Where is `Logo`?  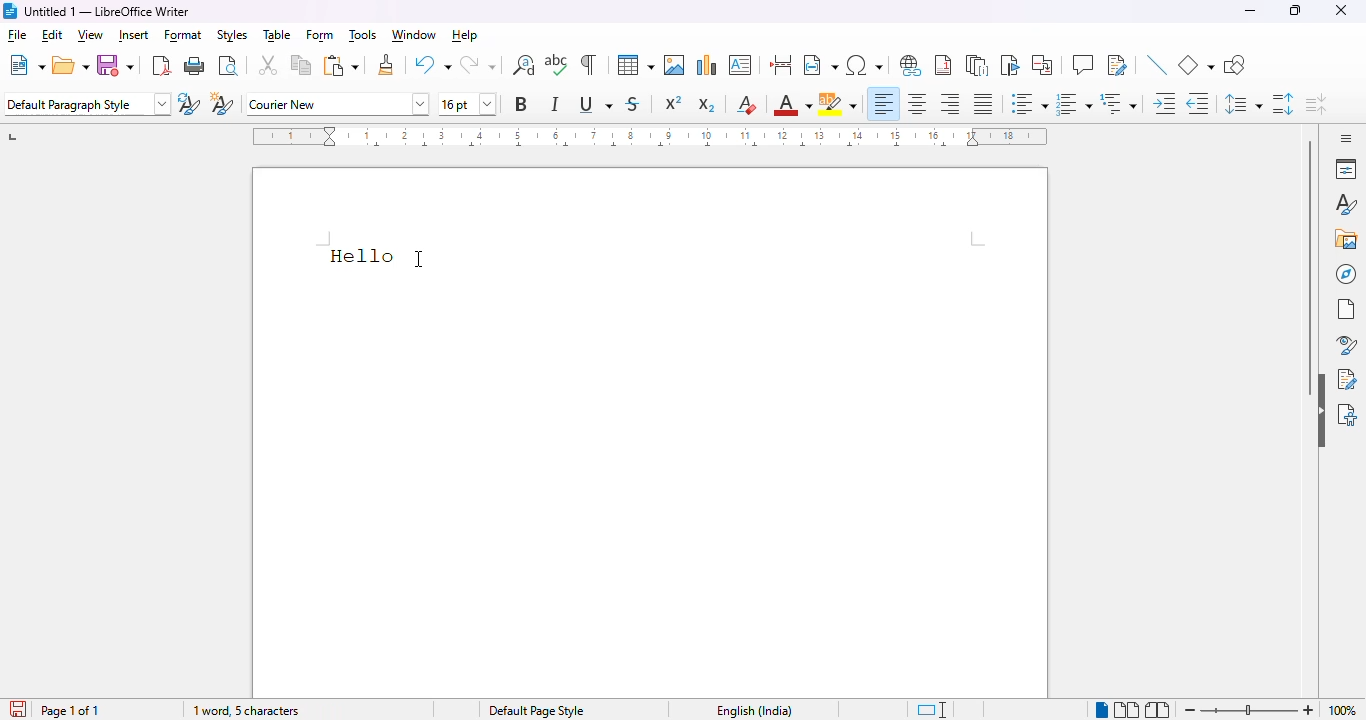 Logo is located at coordinates (9, 11).